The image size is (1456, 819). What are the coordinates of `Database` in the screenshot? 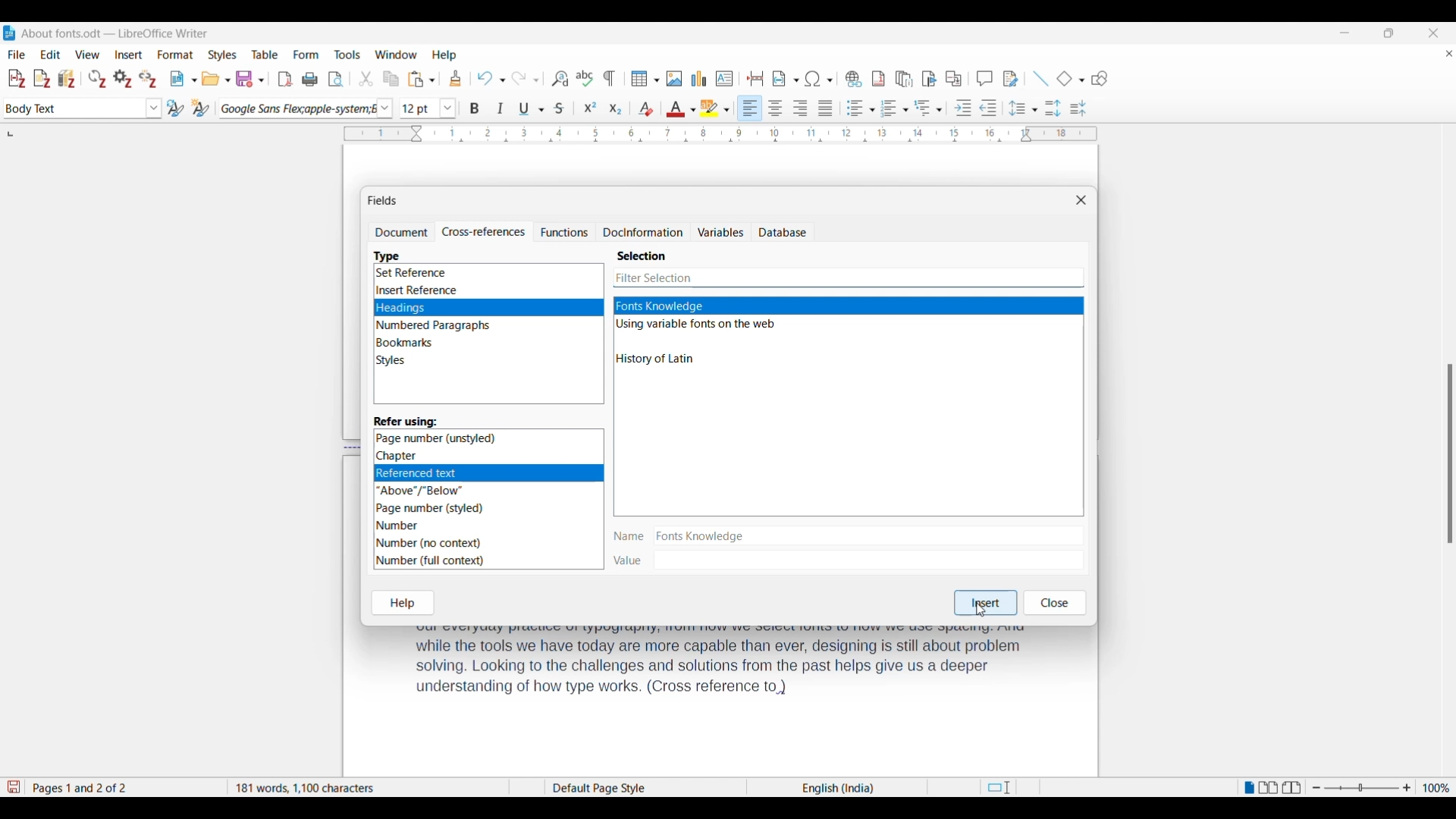 It's located at (782, 233).